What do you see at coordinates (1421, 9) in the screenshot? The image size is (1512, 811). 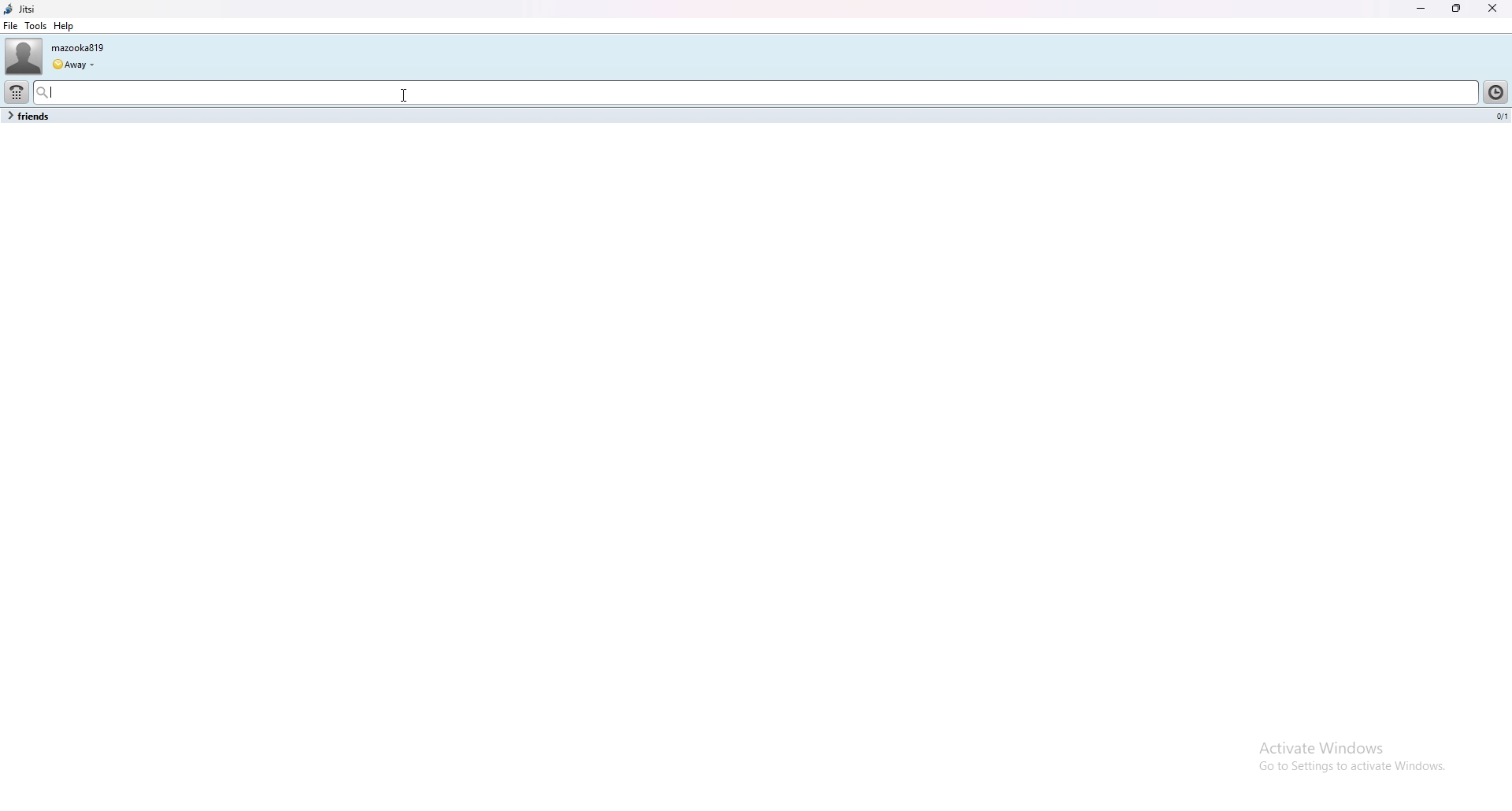 I see `minimize` at bounding box center [1421, 9].